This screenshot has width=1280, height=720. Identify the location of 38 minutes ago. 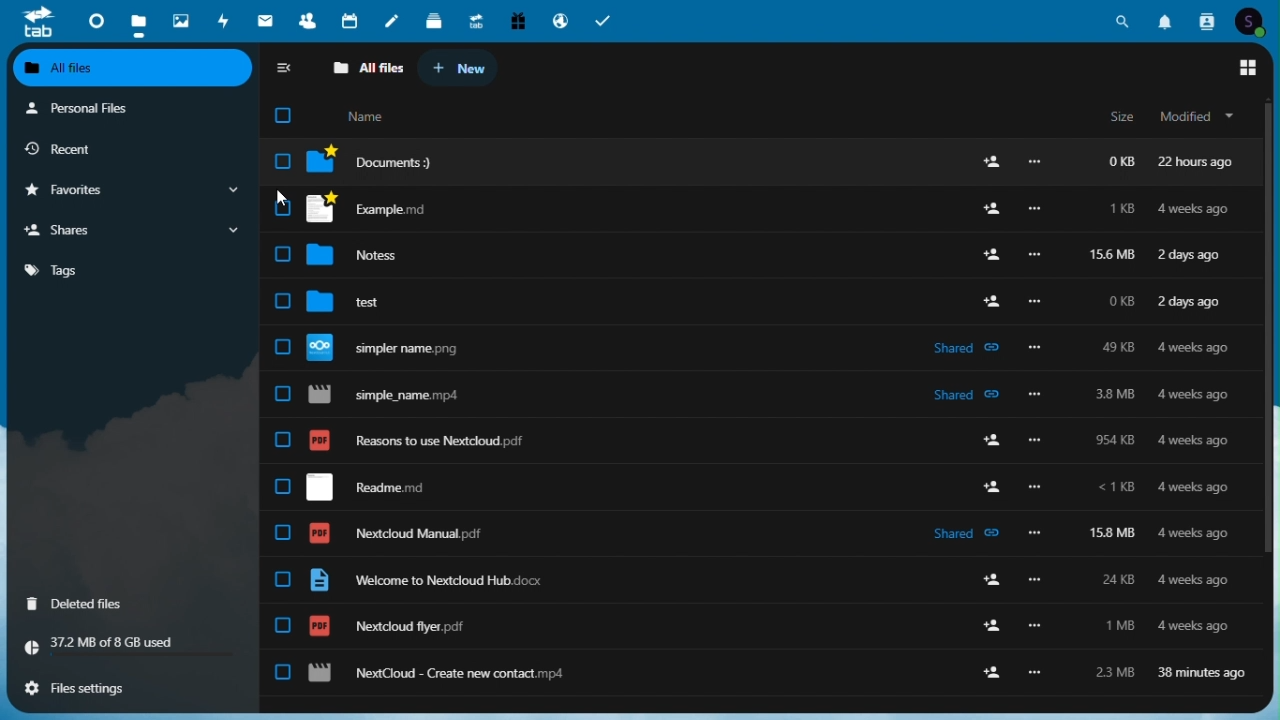
(1200, 675).